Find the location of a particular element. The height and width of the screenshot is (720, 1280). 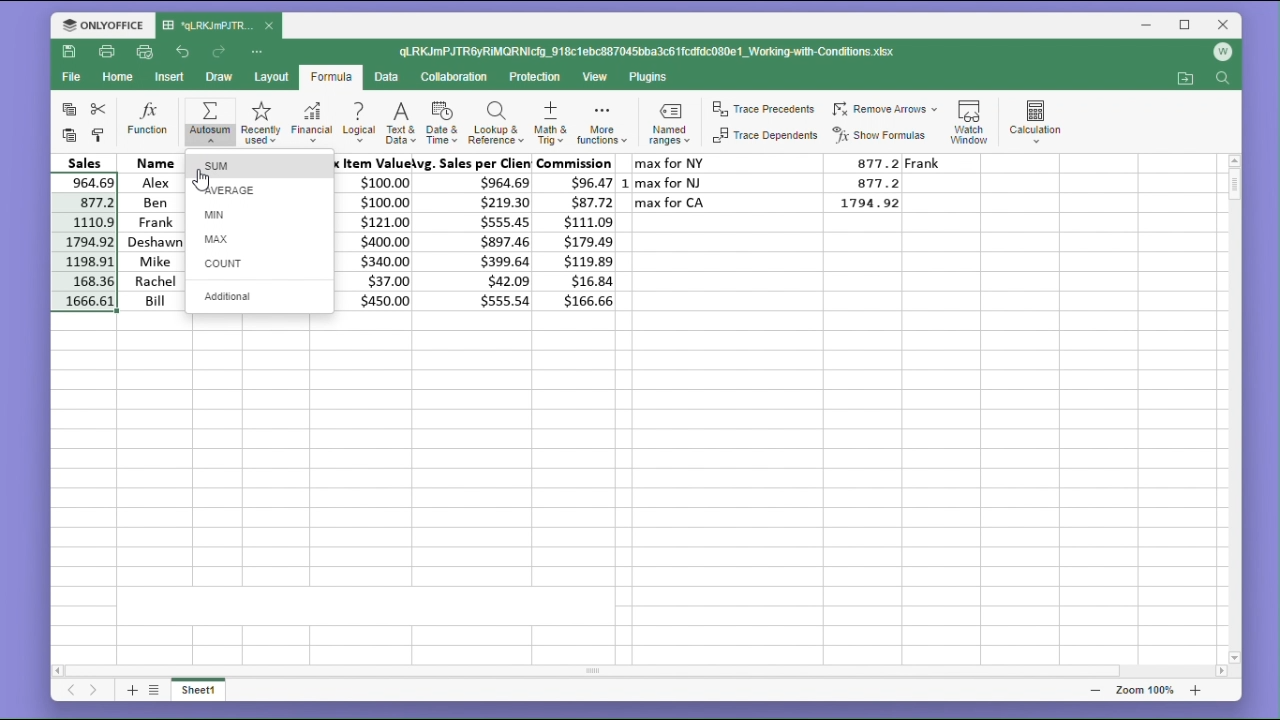

undo is located at coordinates (183, 50).